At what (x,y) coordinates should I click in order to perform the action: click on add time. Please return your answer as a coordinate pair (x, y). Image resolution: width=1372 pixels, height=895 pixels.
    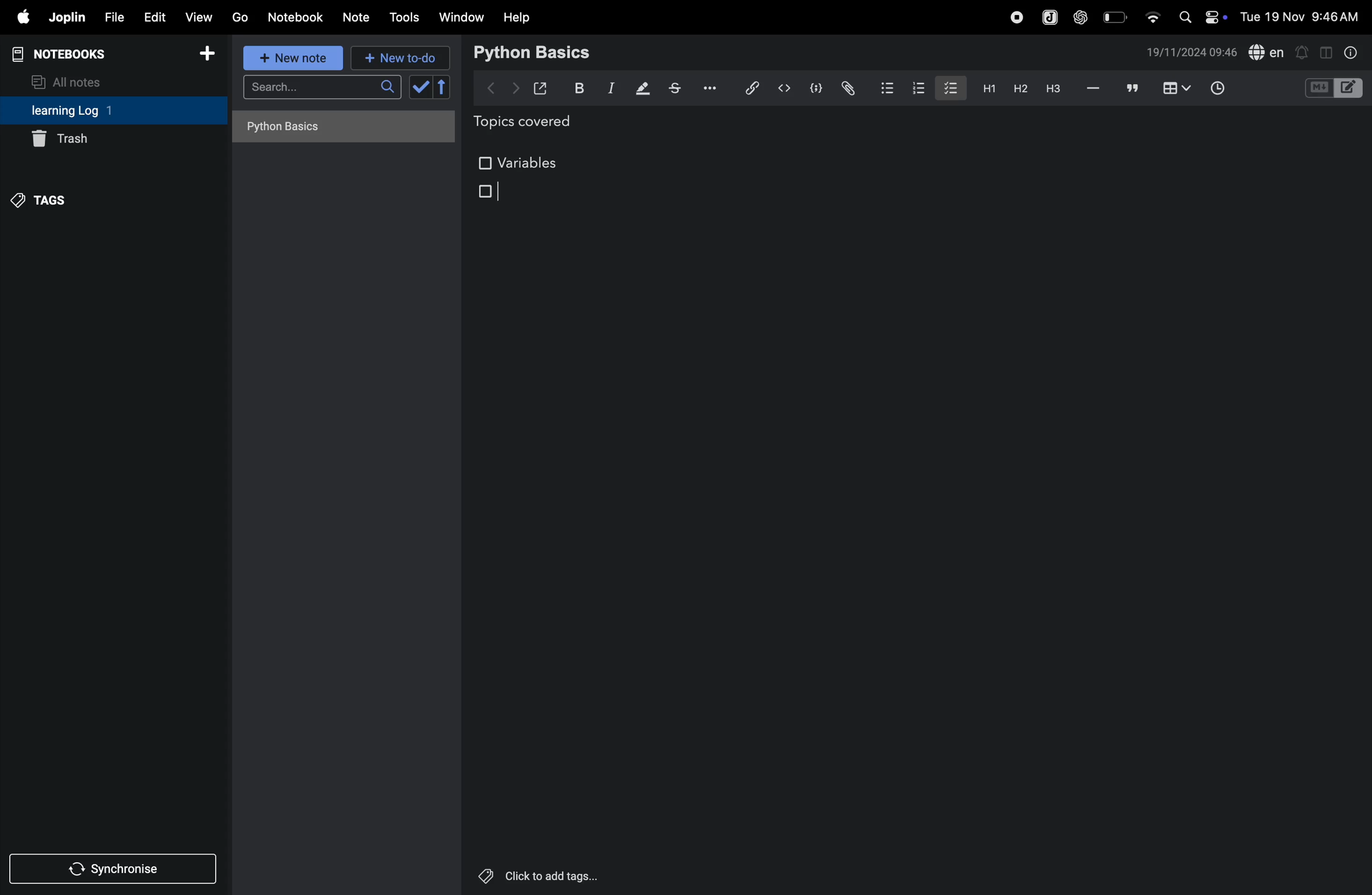
    Looking at the image, I should click on (1231, 89).